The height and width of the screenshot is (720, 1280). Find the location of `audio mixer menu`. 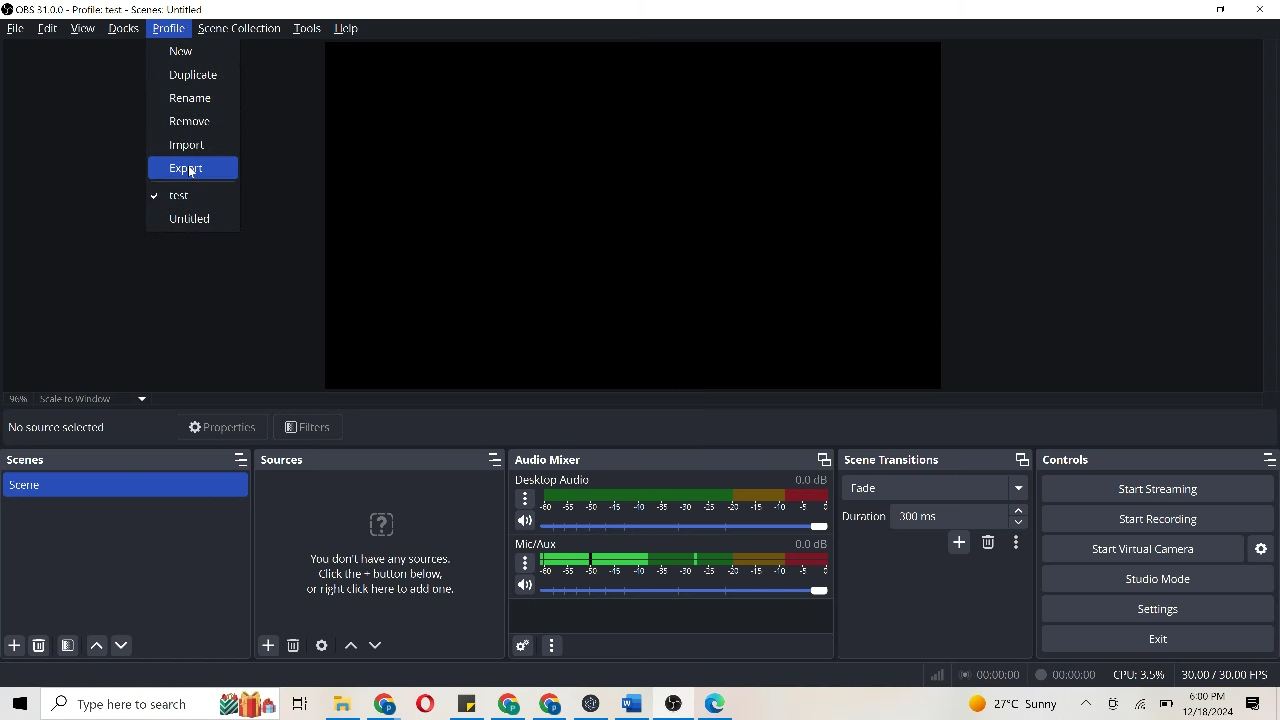

audio mixer menu is located at coordinates (551, 641).